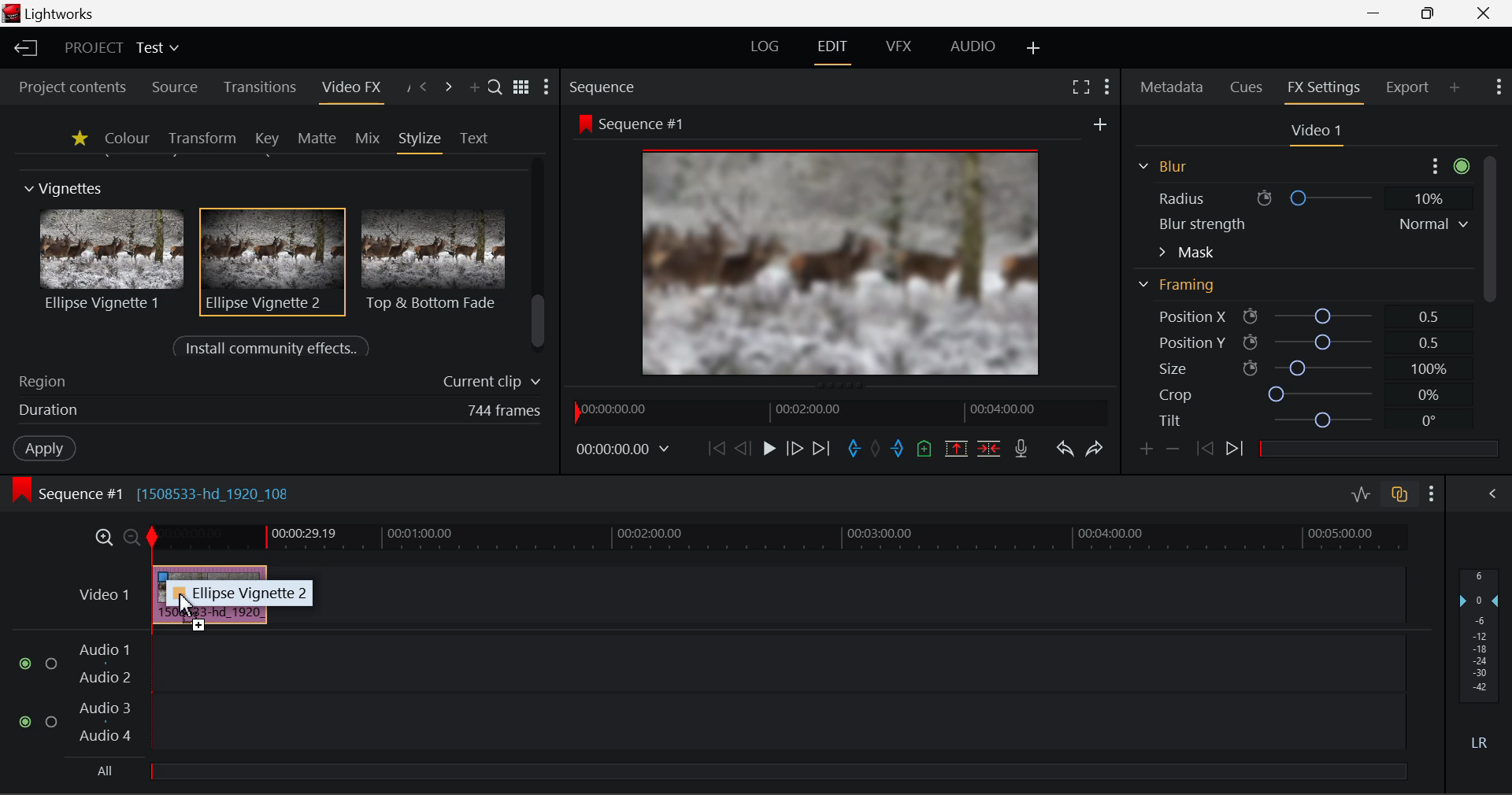 The image size is (1512, 795). I want to click on cursor, so click(189, 592).